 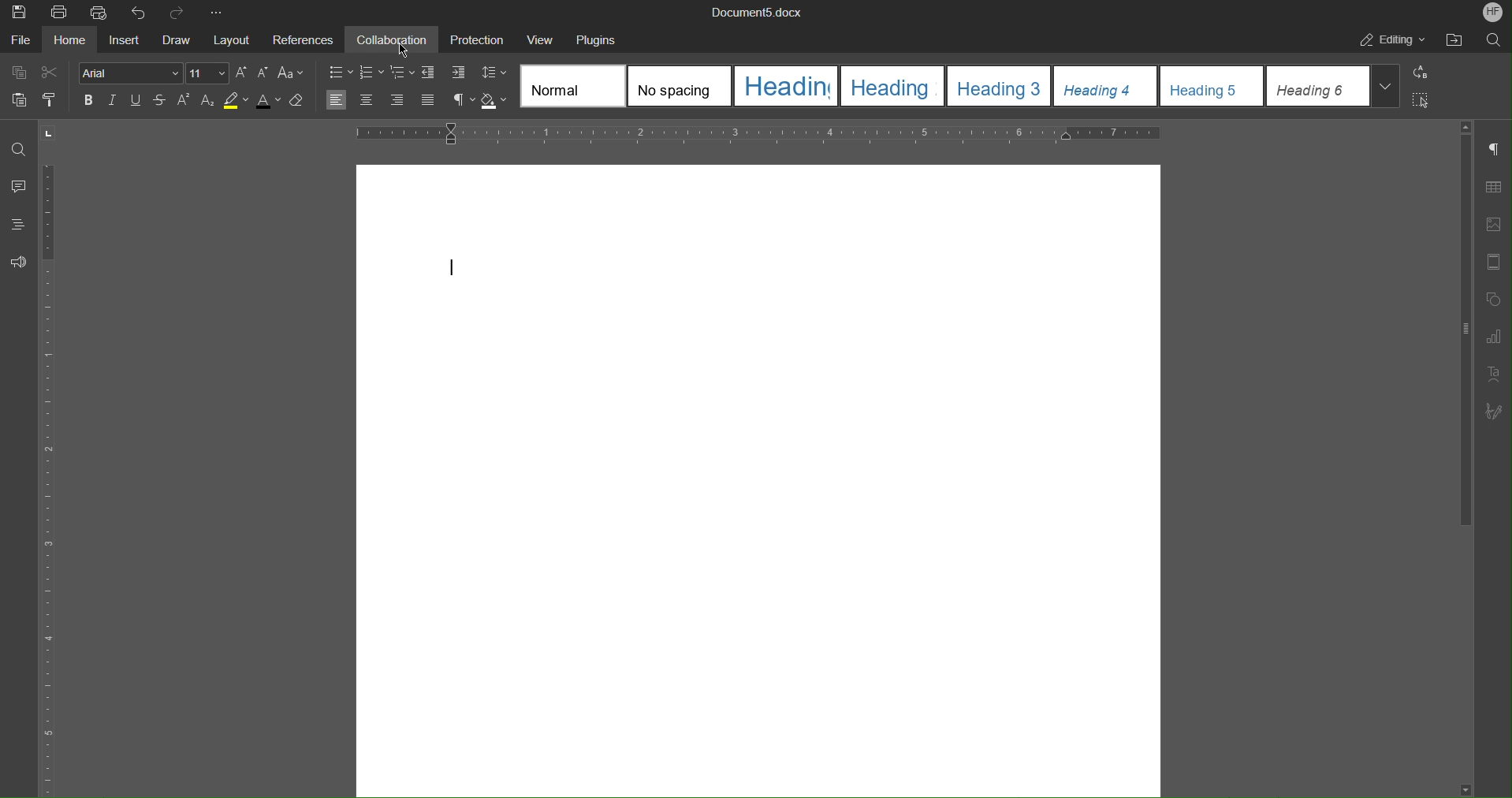 What do you see at coordinates (365, 73) in the screenshot?
I see `List` at bounding box center [365, 73].